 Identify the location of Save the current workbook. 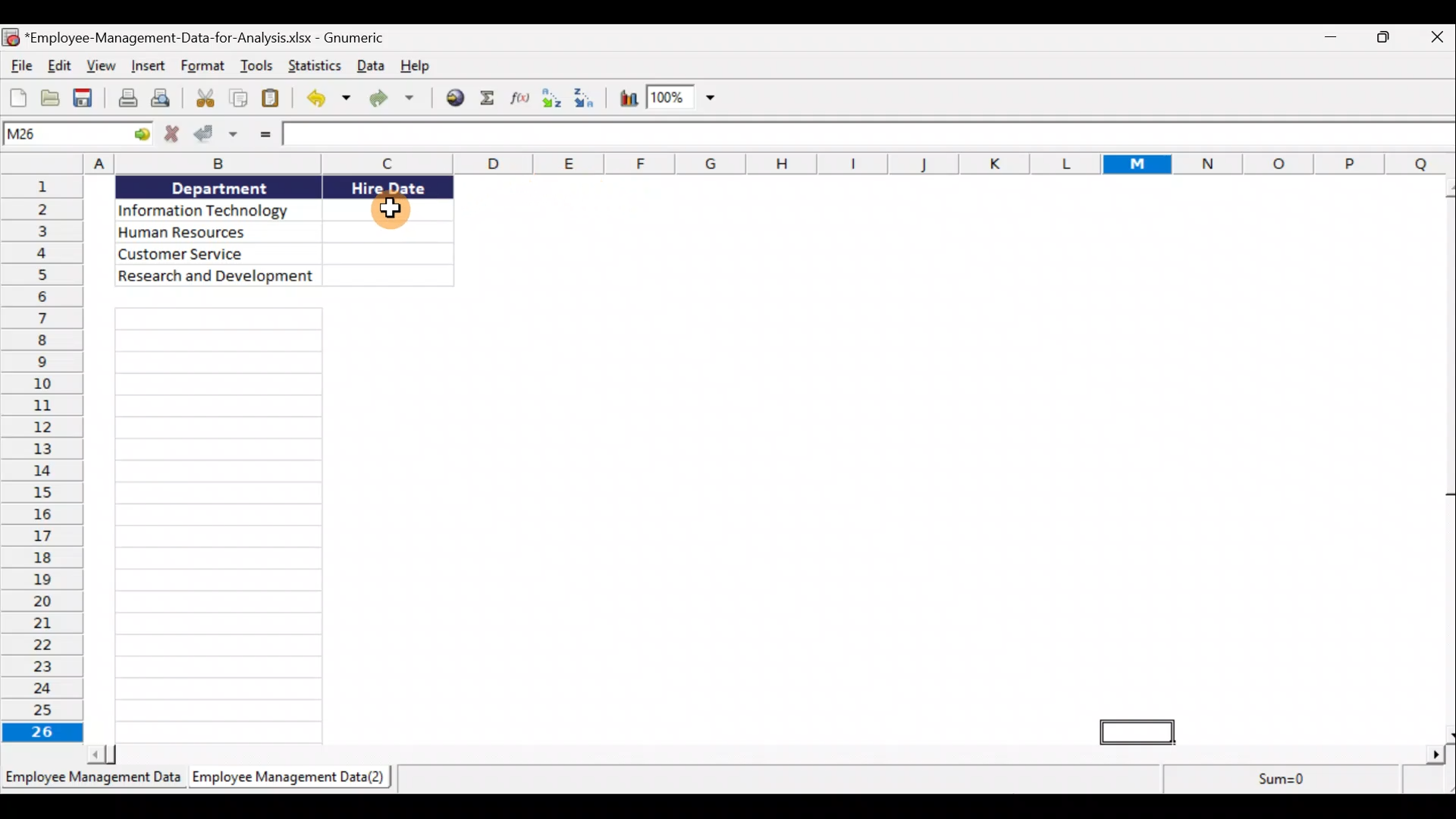
(86, 98).